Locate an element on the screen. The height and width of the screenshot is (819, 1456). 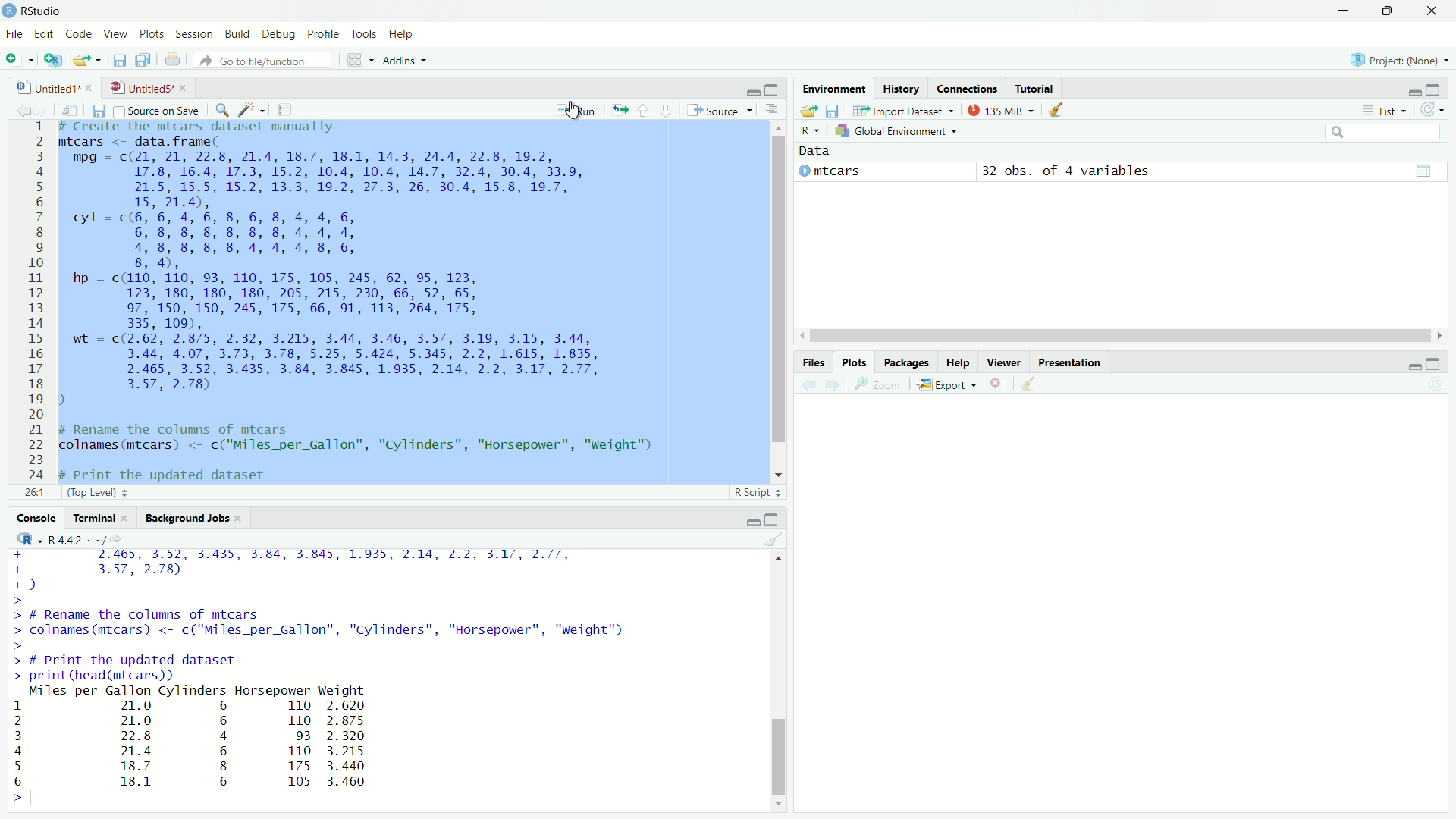
Export ~ is located at coordinates (946, 385).